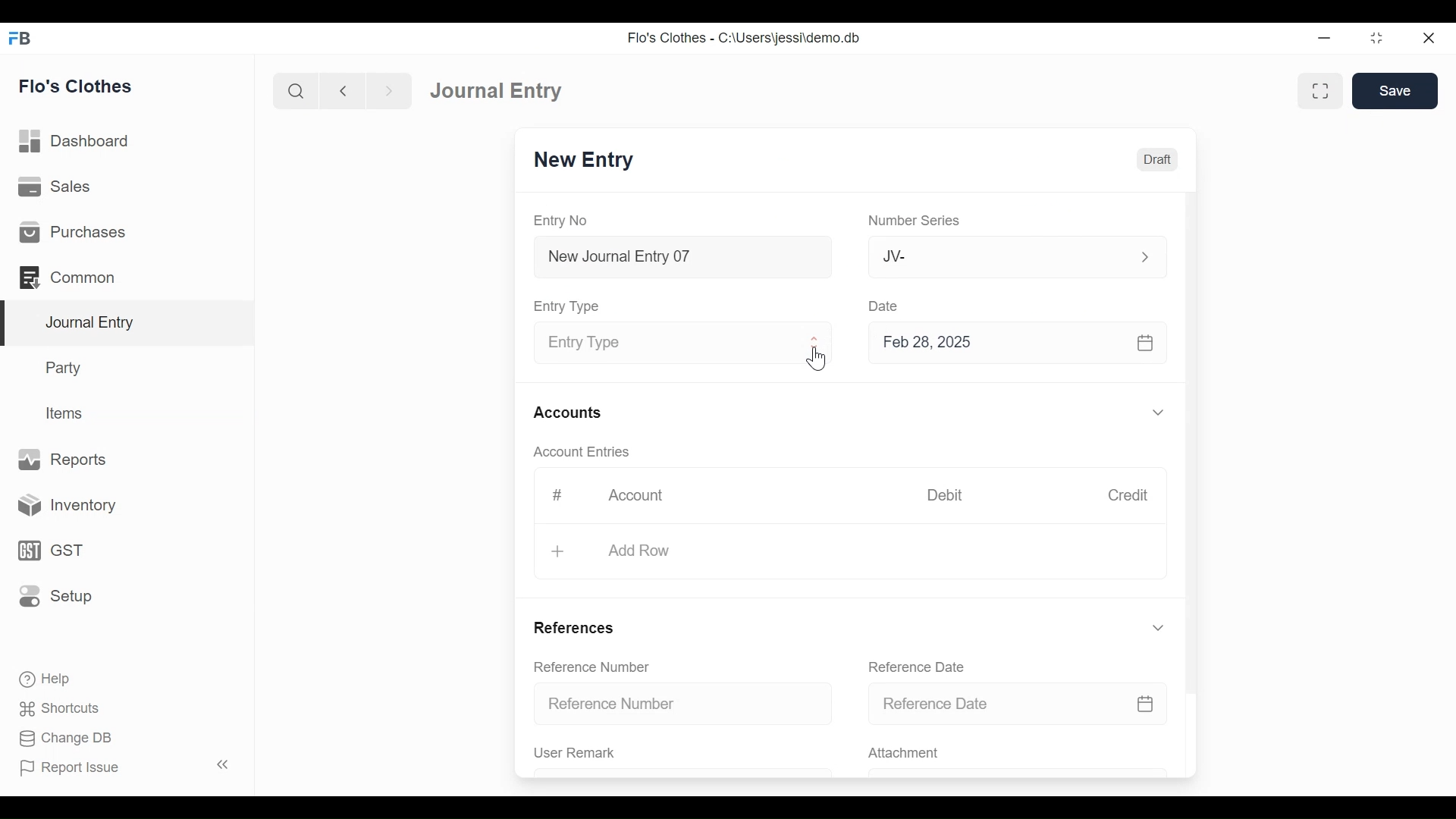  Describe the element at coordinates (296, 92) in the screenshot. I see `Search` at that location.